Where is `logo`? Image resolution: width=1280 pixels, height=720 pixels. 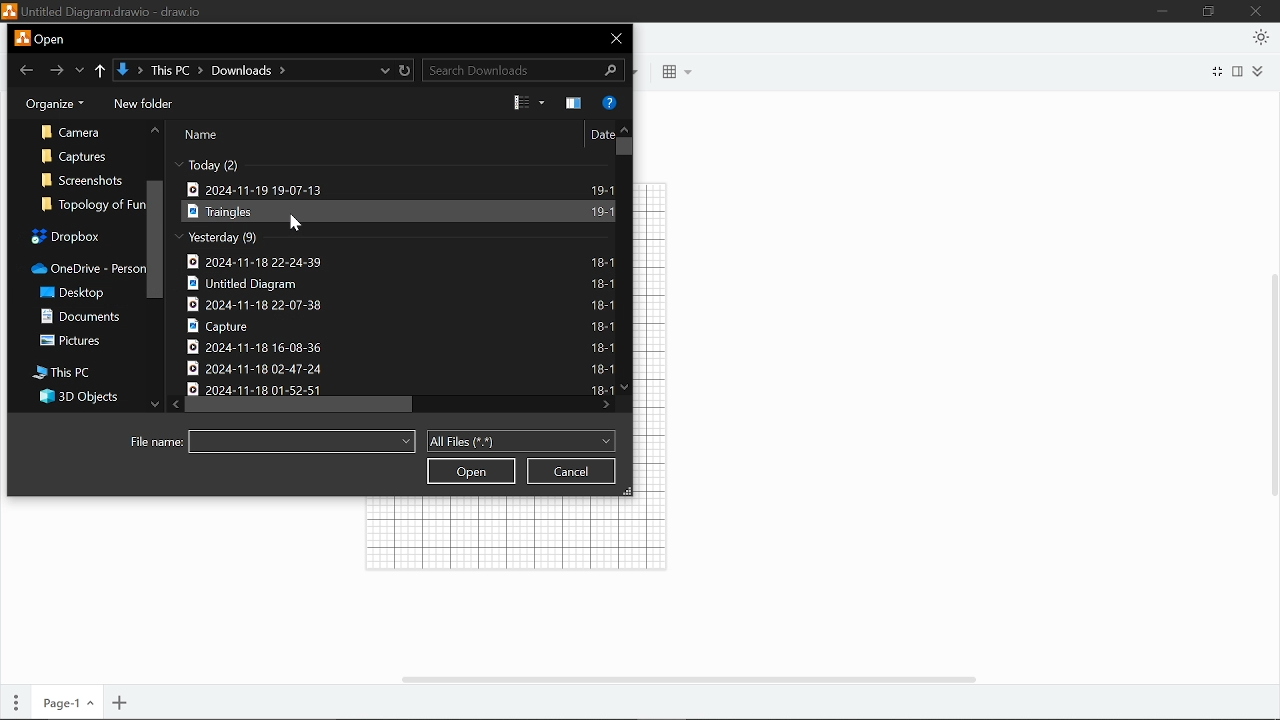 logo is located at coordinates (10, 13).